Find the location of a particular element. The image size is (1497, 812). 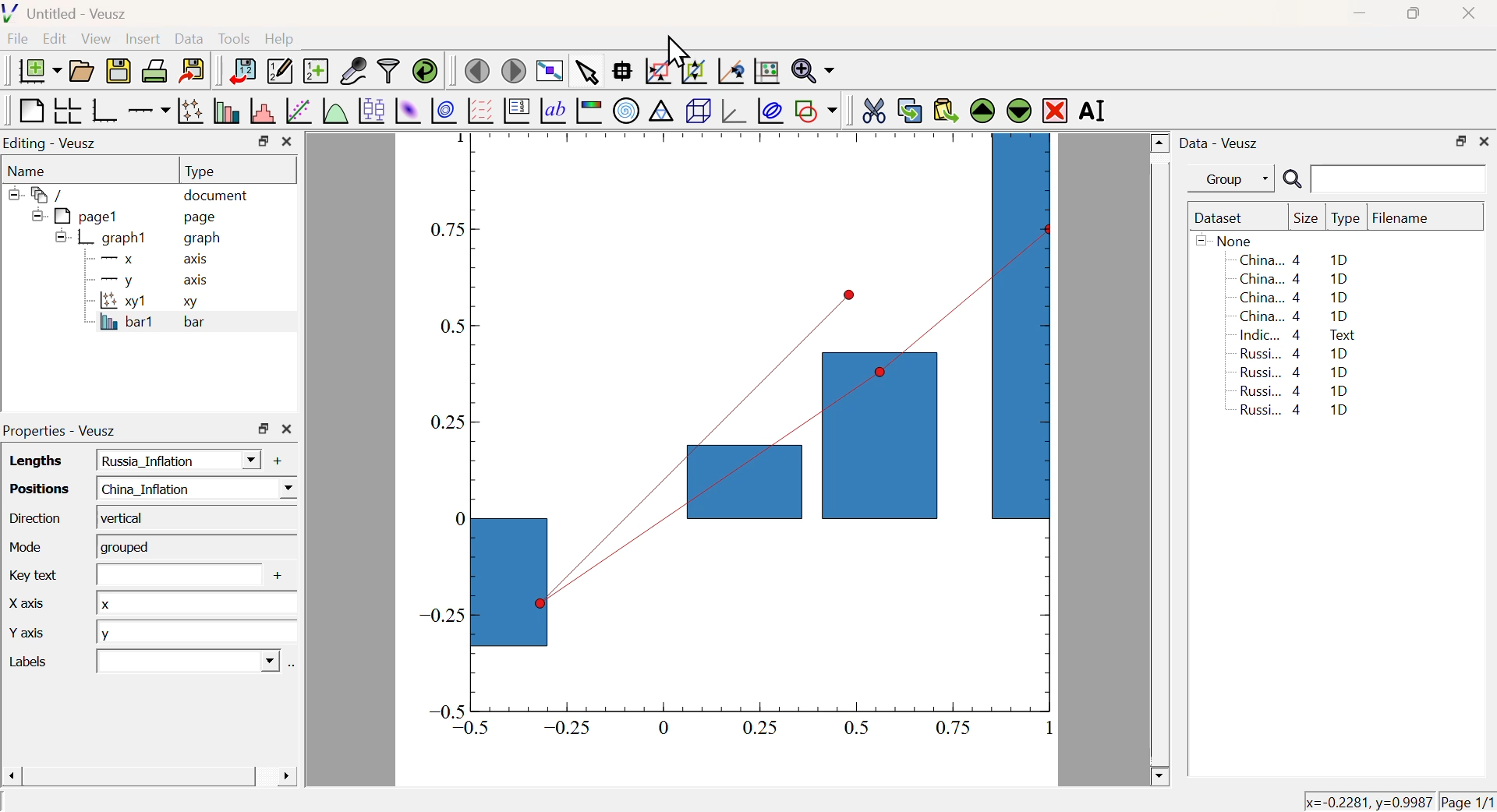

3D Scene is located at coordinates (698, 111).